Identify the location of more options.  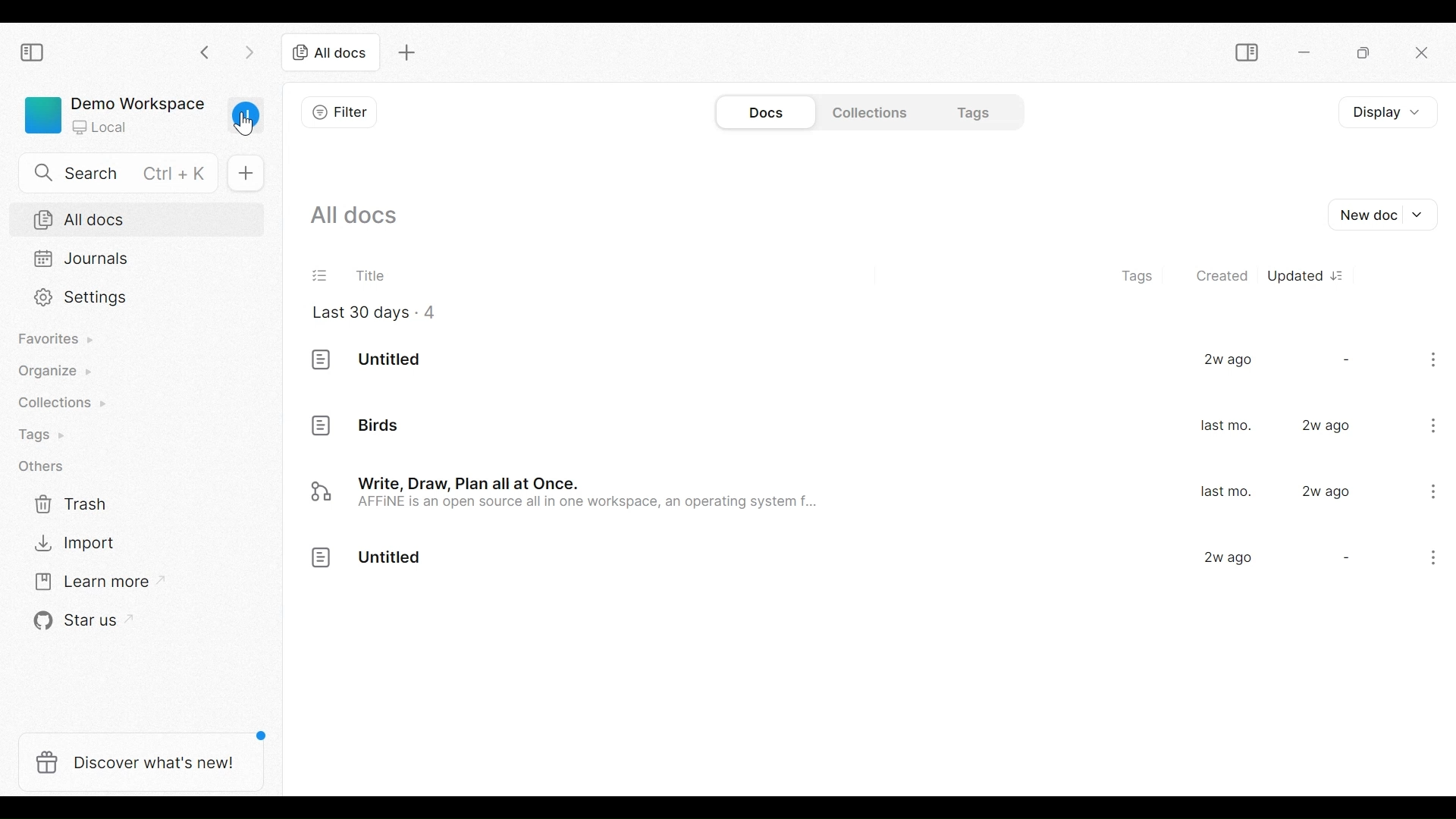
(1436, 362).